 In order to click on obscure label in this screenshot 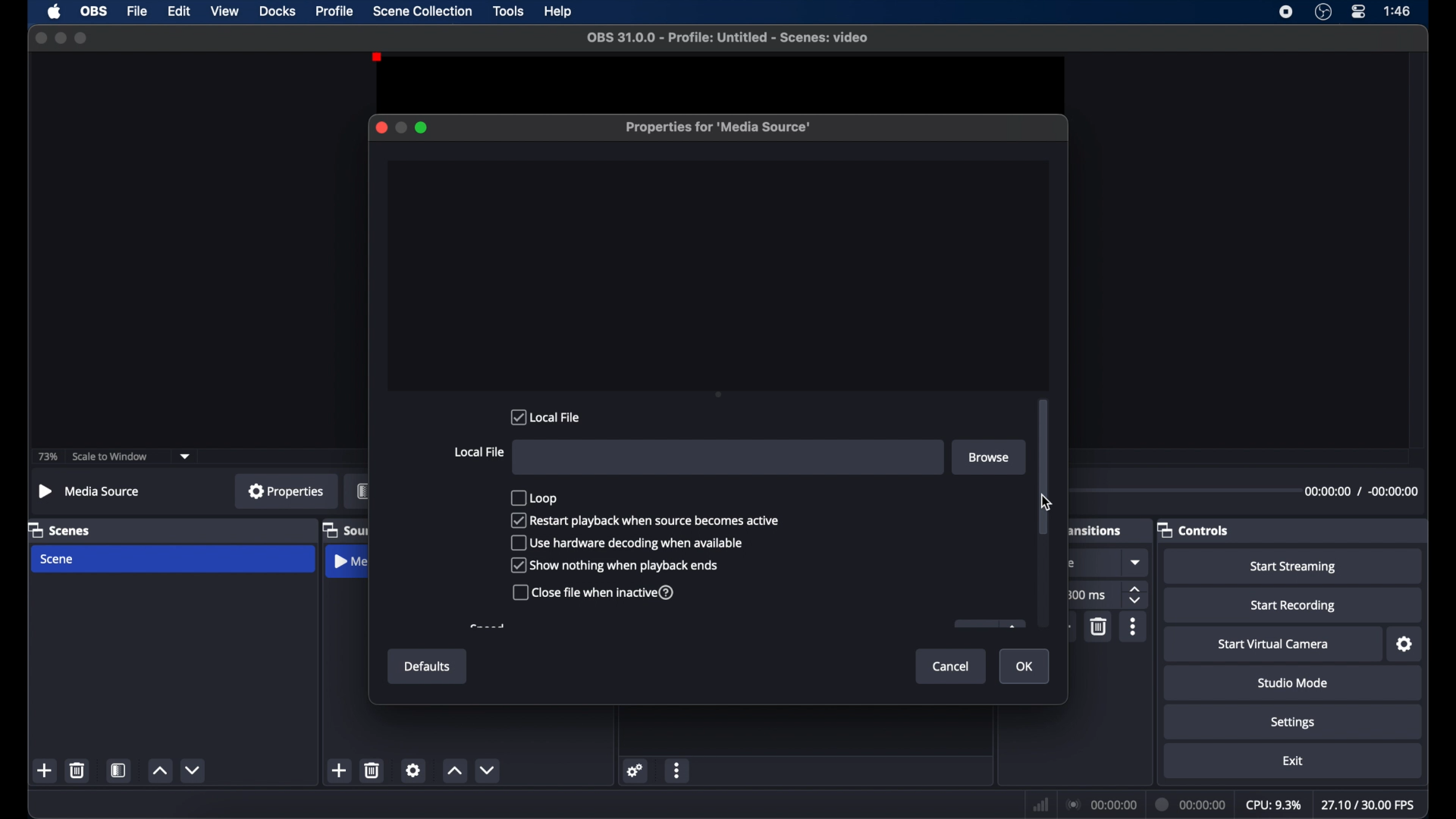, I will do `click(350, 561)`.